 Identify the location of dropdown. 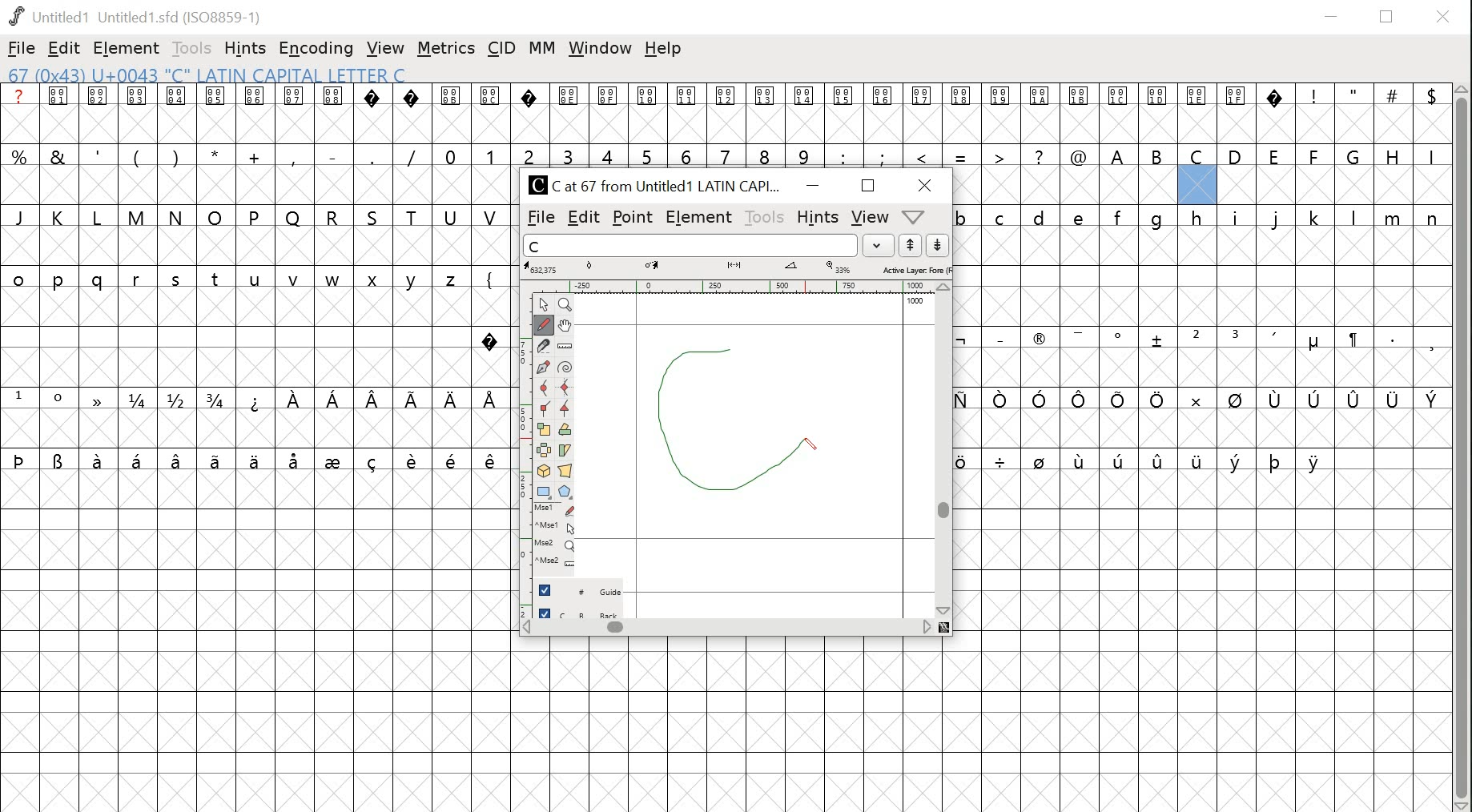
(915, 215).